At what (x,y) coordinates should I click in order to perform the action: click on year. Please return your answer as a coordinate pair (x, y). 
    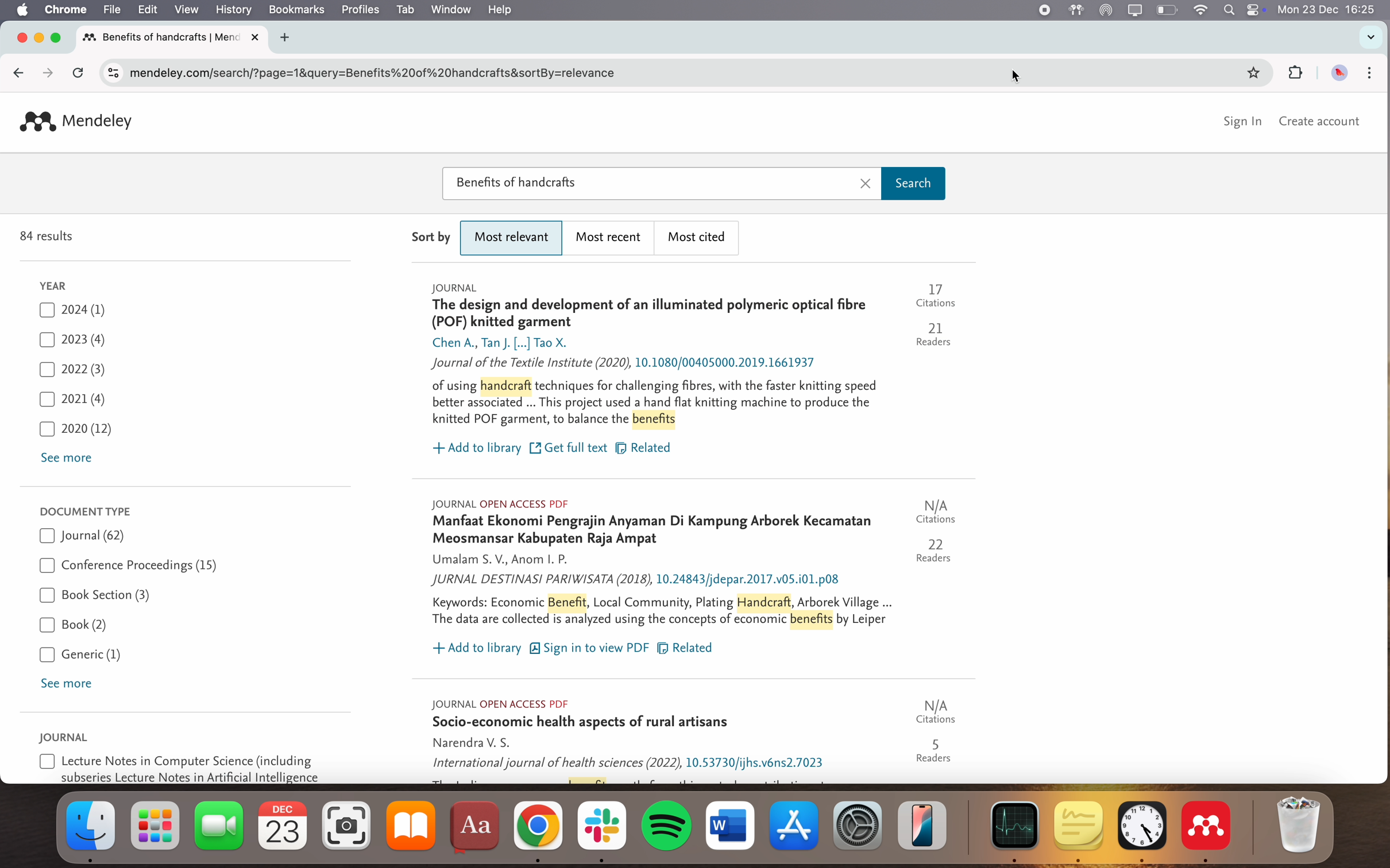
    Looking at the image, I should click on (52, 284).